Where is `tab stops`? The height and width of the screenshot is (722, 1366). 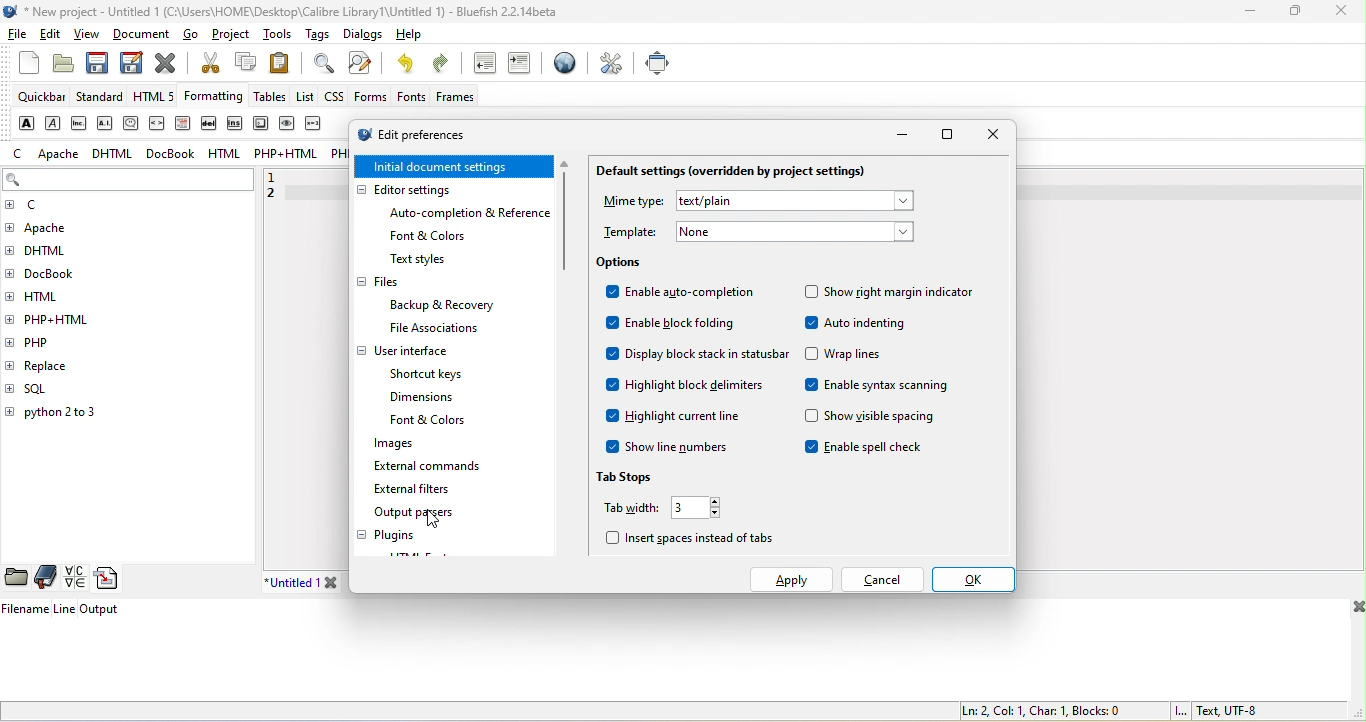
tab stops is located at coordinates (635, 473).